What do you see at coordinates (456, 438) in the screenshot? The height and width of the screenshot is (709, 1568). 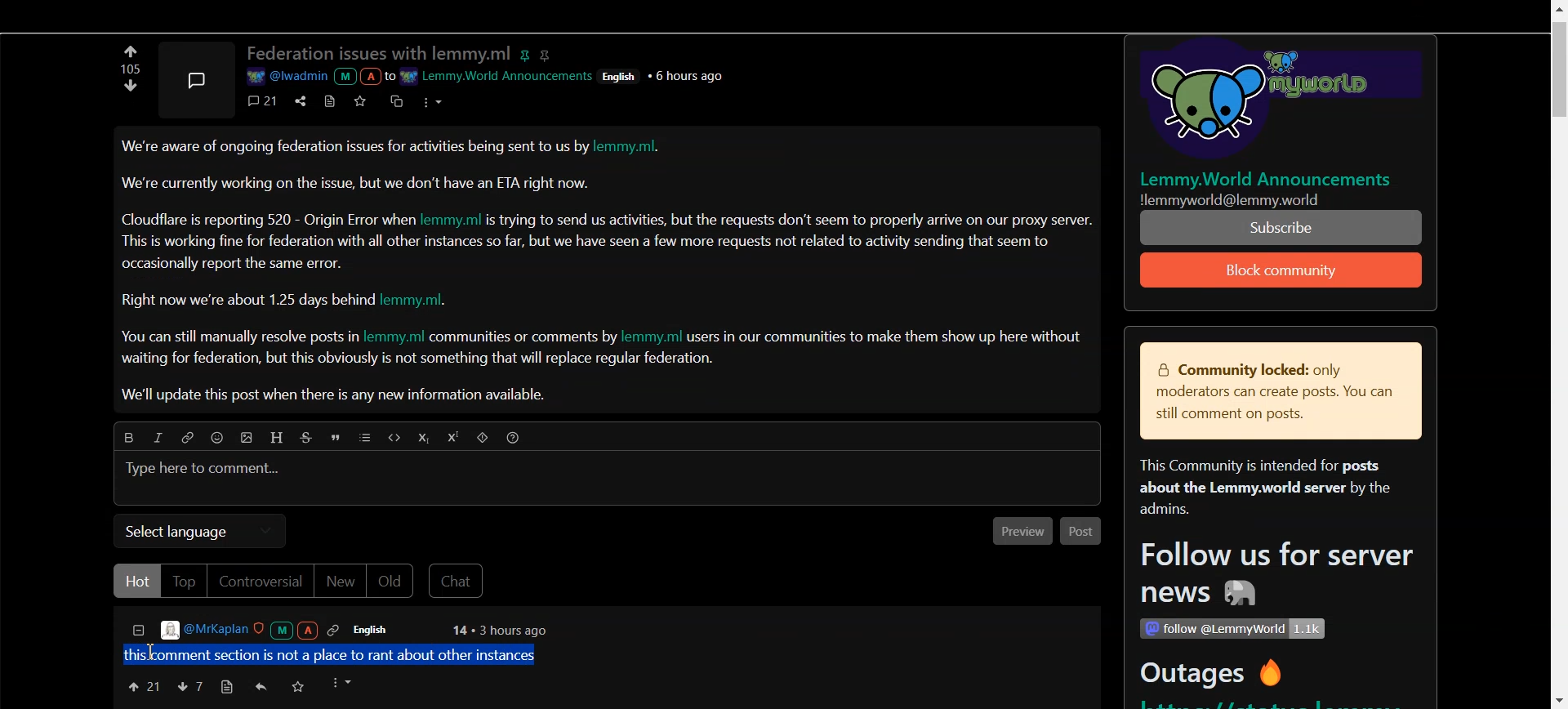 I see `Superscript` at bounding box center [456, 438].